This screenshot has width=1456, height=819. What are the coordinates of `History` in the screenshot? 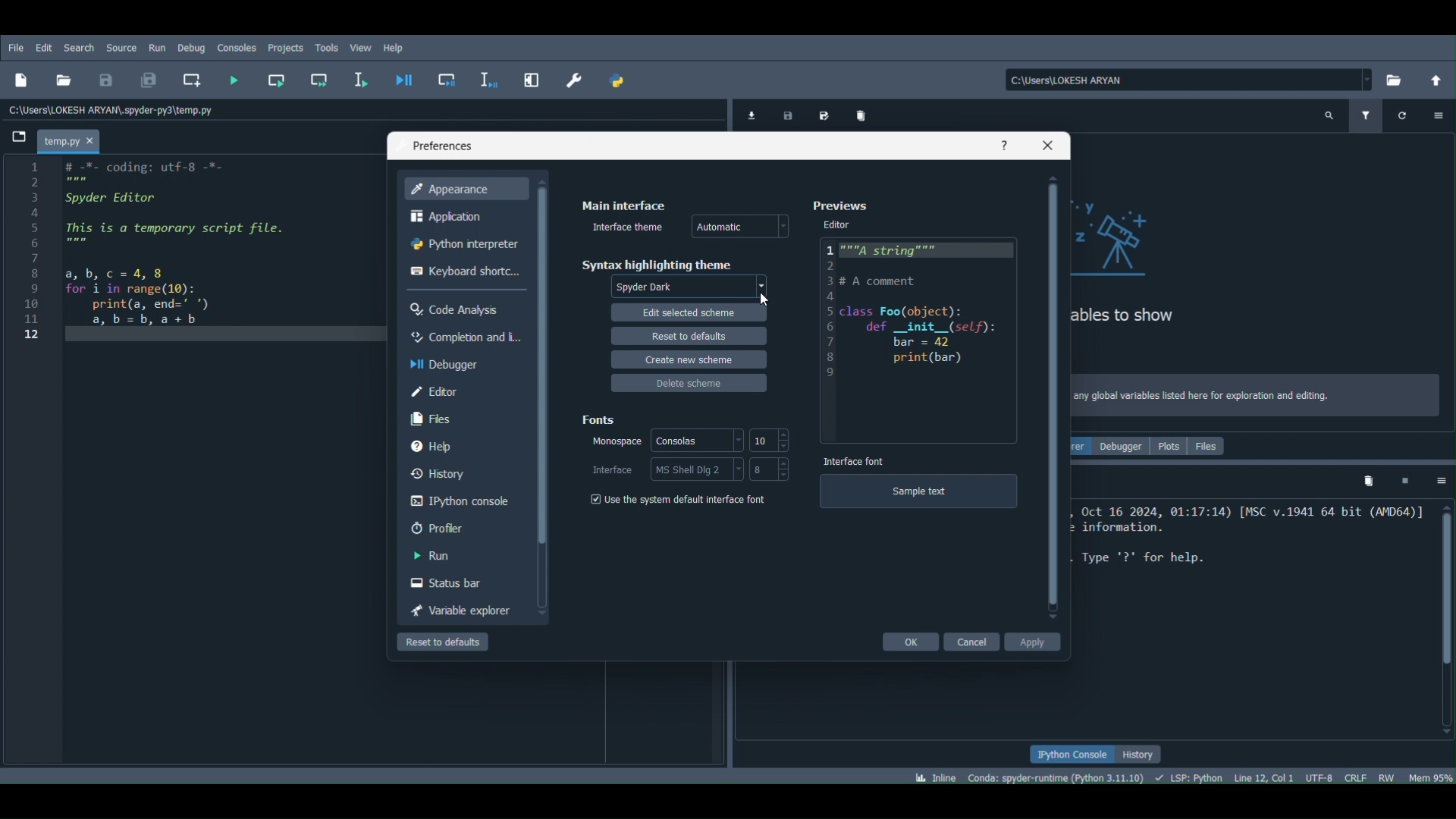 It's located at (466, 475).